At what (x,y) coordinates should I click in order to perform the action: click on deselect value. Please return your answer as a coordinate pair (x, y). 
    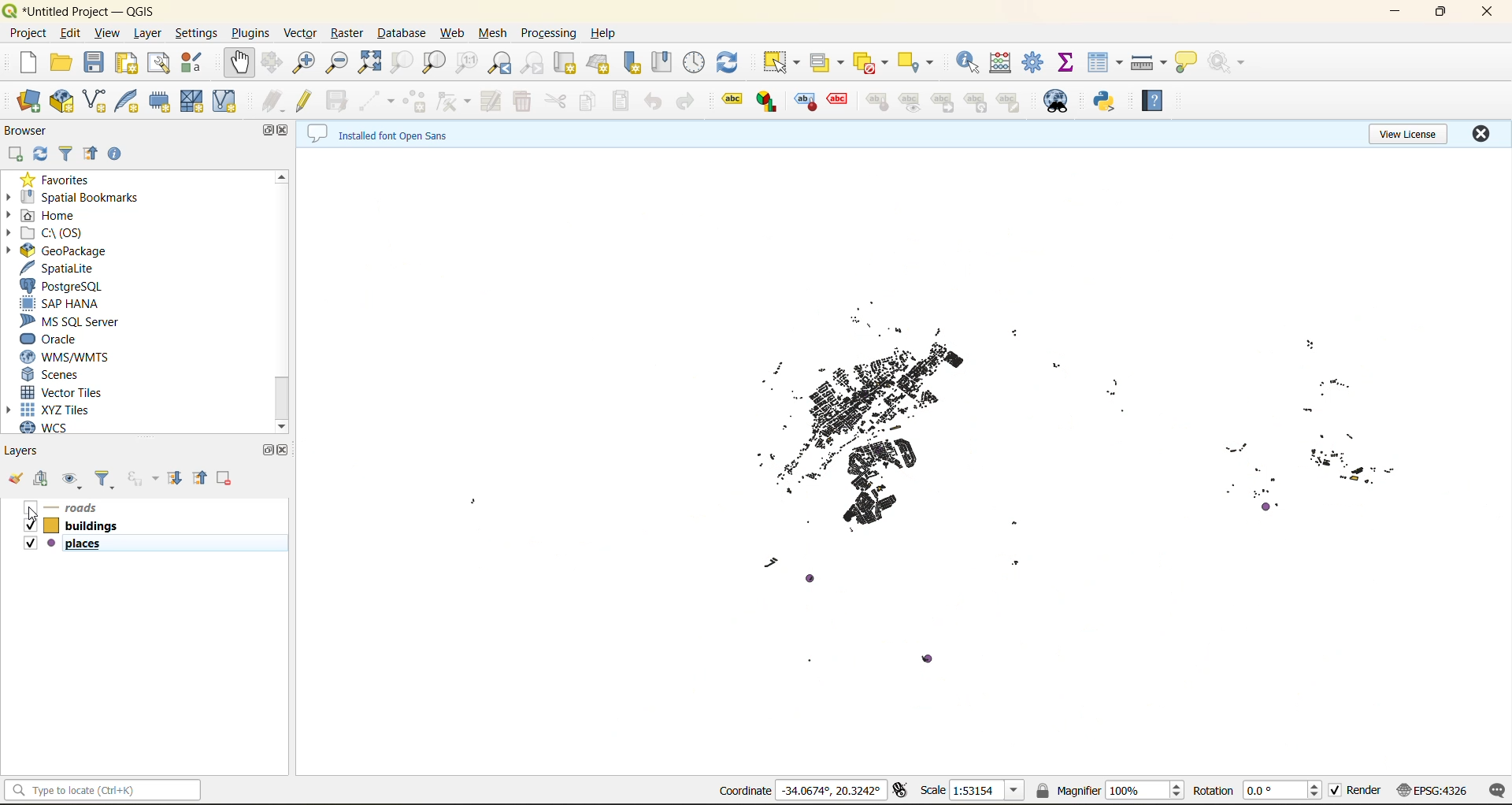
    Looking at the image, I should click on (868, 65).